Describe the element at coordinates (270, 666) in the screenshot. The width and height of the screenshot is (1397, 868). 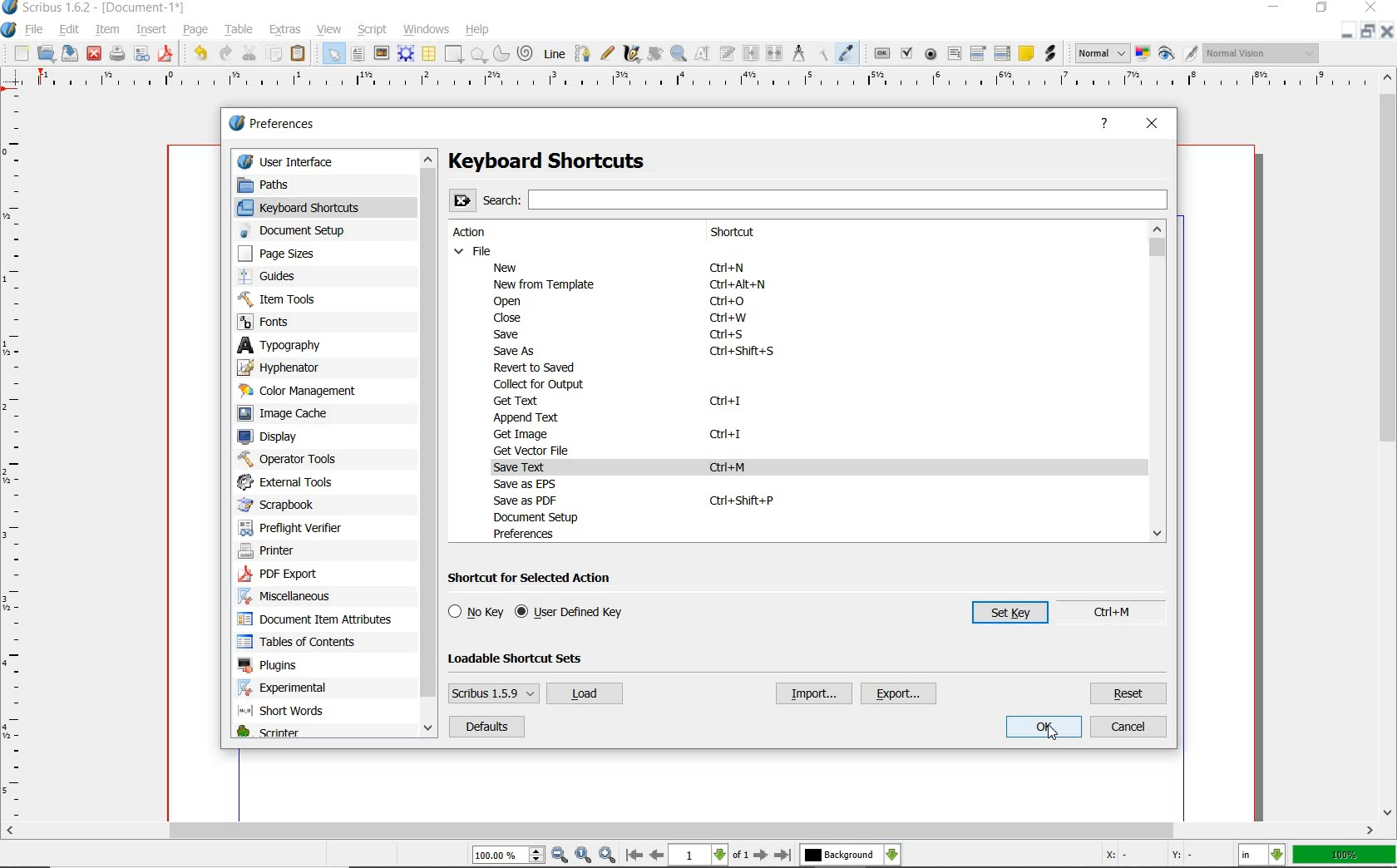
I see `plugins` at that location.